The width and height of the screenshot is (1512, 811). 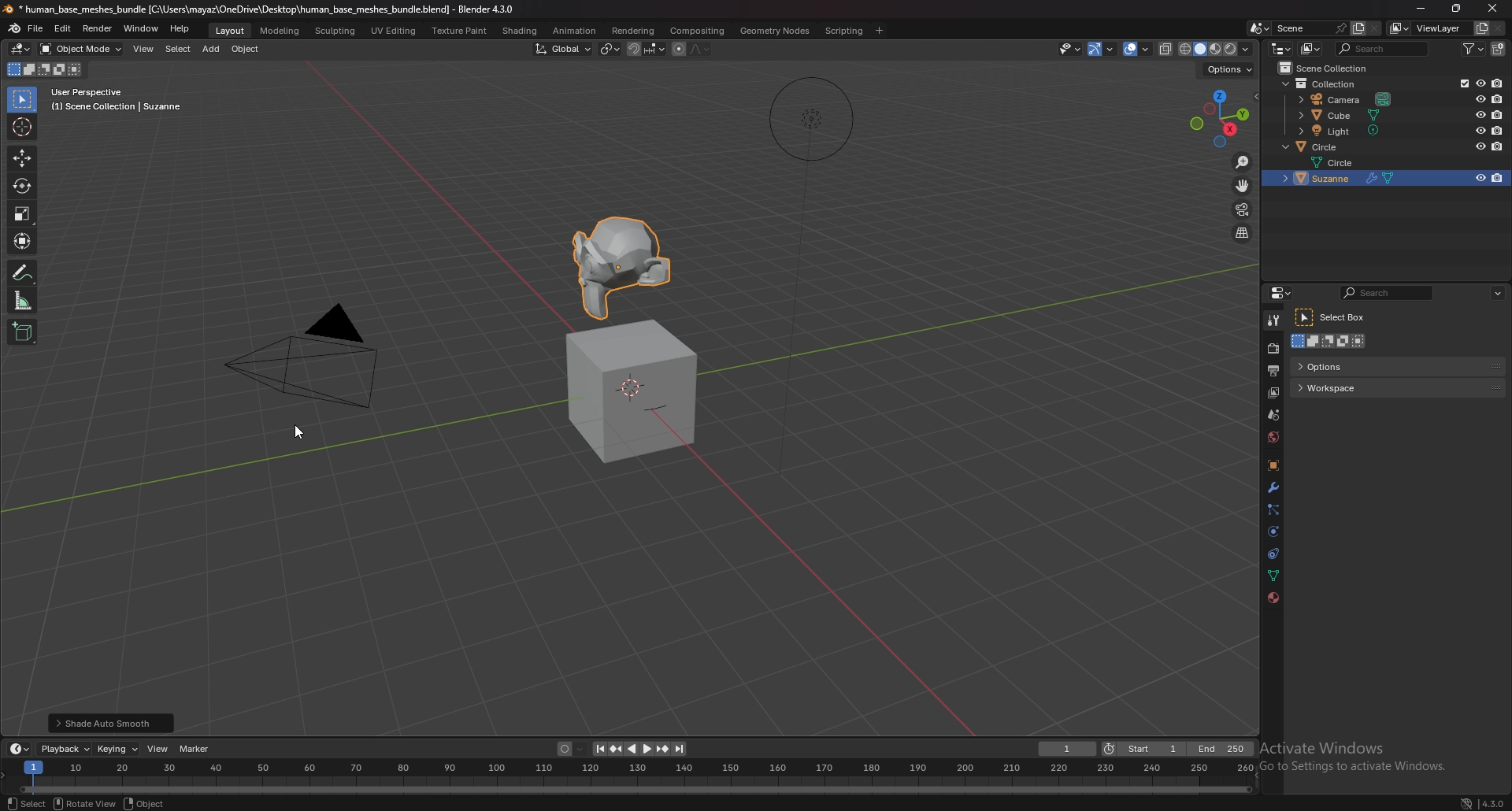 I want to click on light, so click(x=1340, y=131).